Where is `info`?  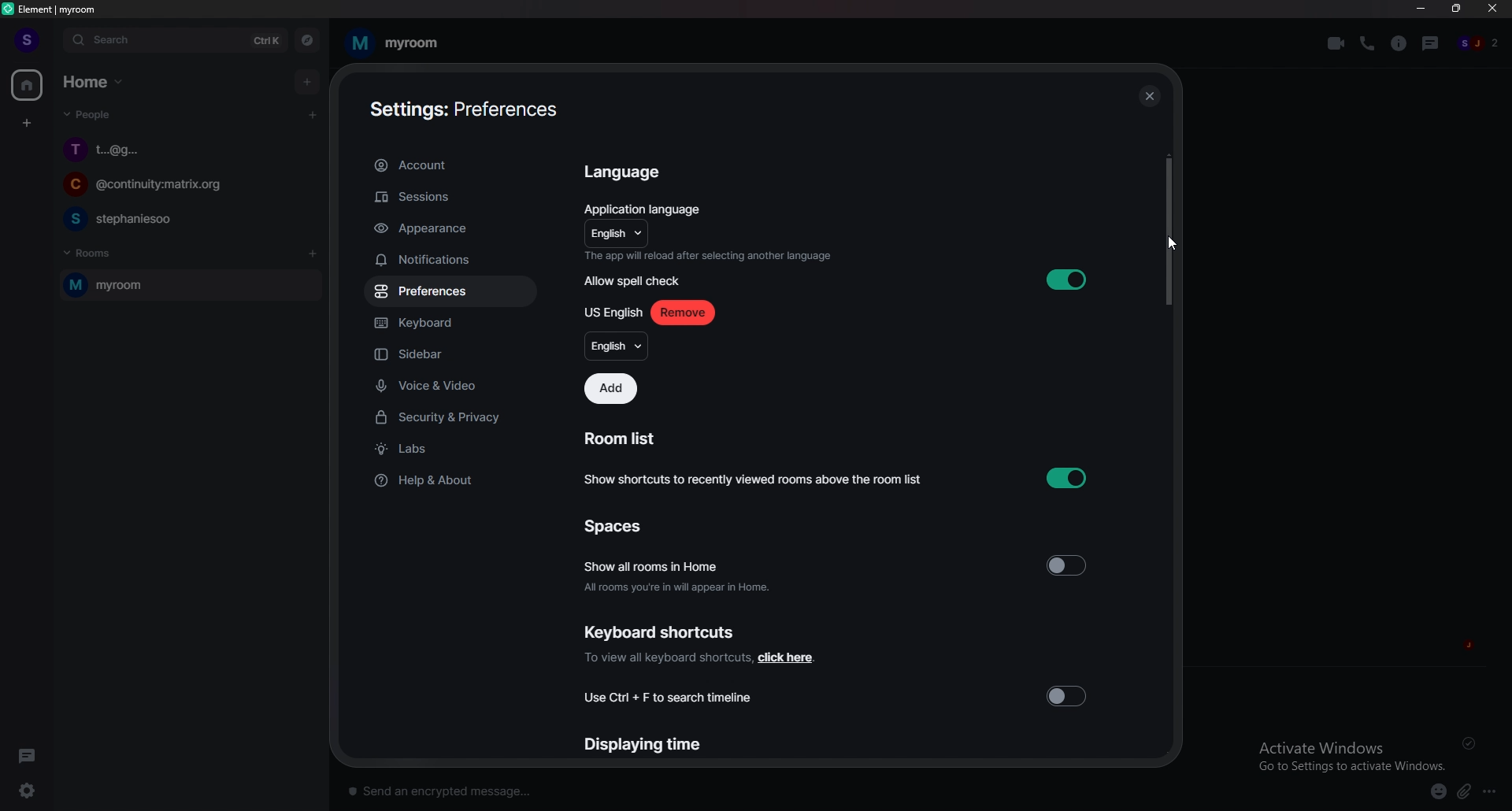 info is located at coordinates (708, 256).